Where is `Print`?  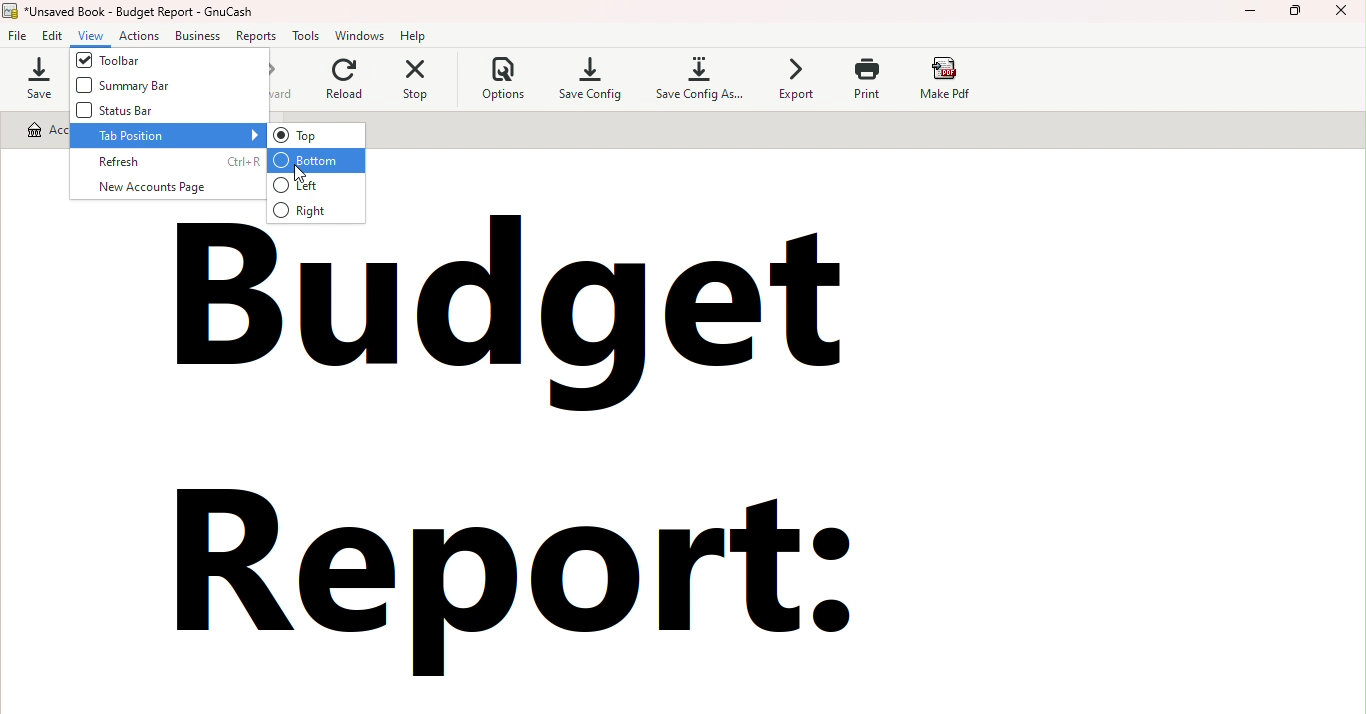 Print is located at coordinates (872, 78).